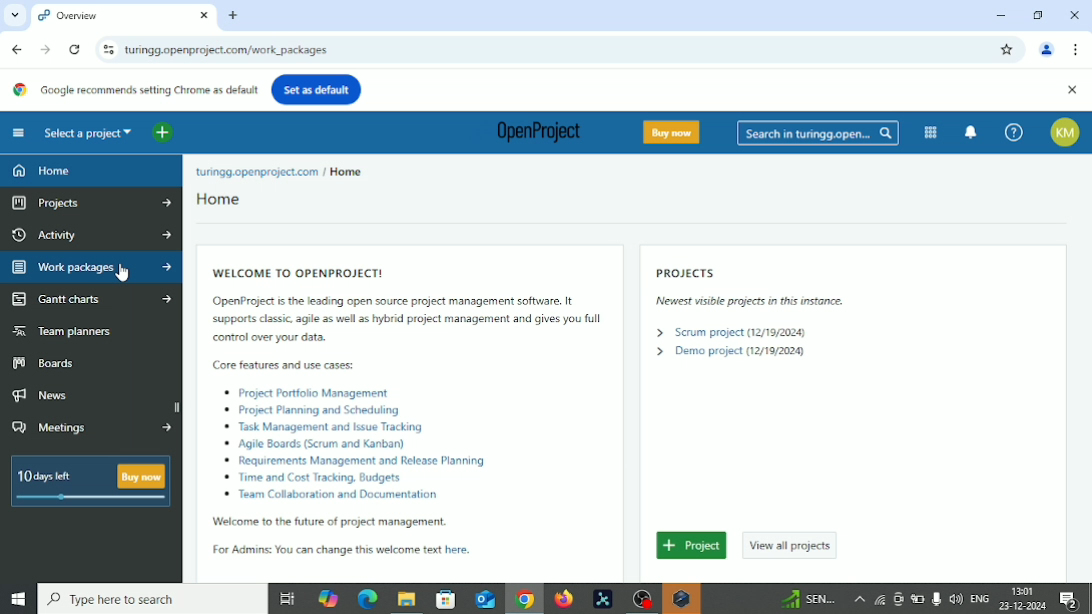  What do you see at coordinates (467, 551) in the screenshot?
I see `click "here" to change welcome text (only for admins)` at bounding box center [467, 551].